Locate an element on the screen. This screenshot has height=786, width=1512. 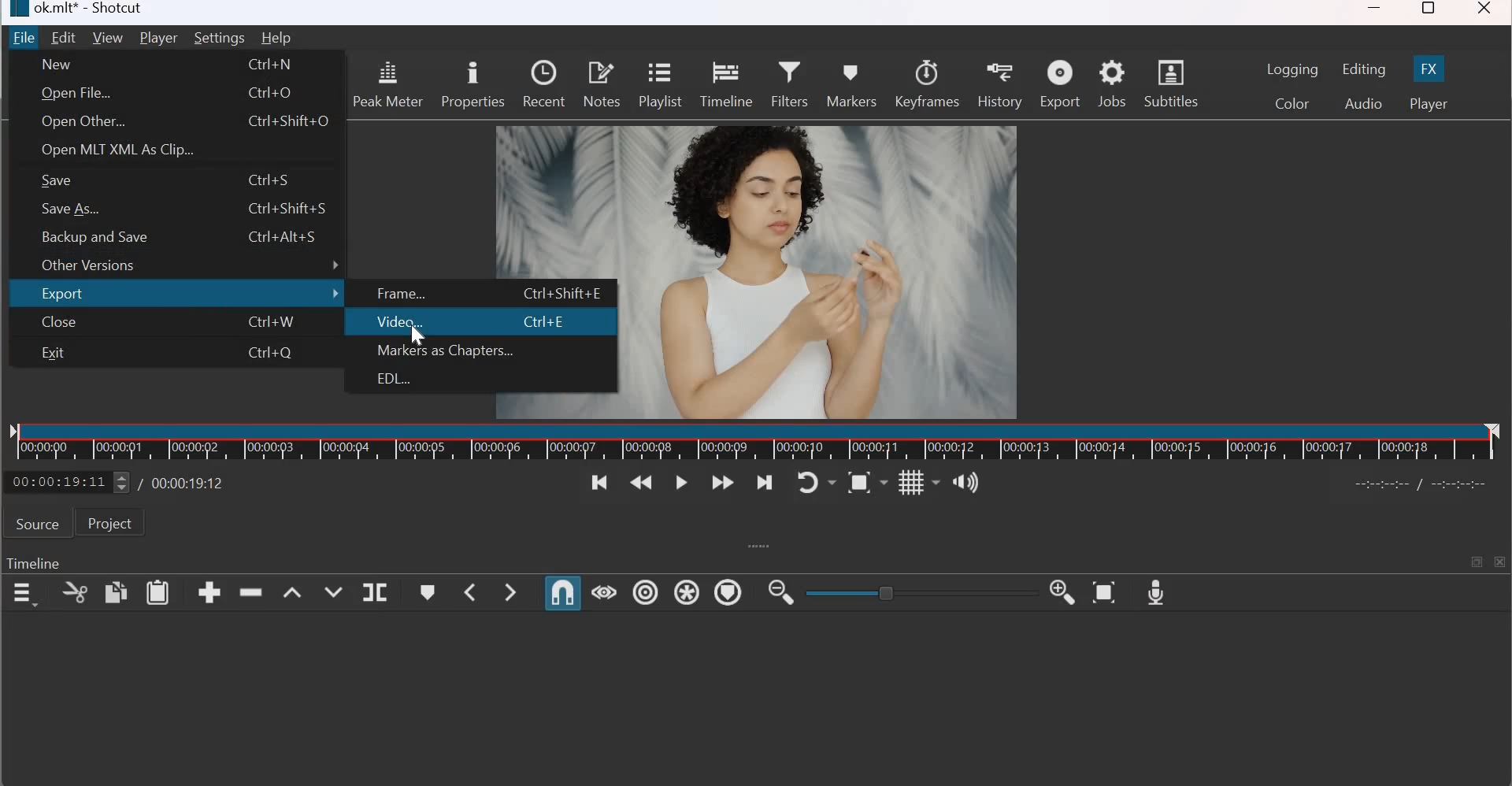
Open file is located at coordinates (77, 95).